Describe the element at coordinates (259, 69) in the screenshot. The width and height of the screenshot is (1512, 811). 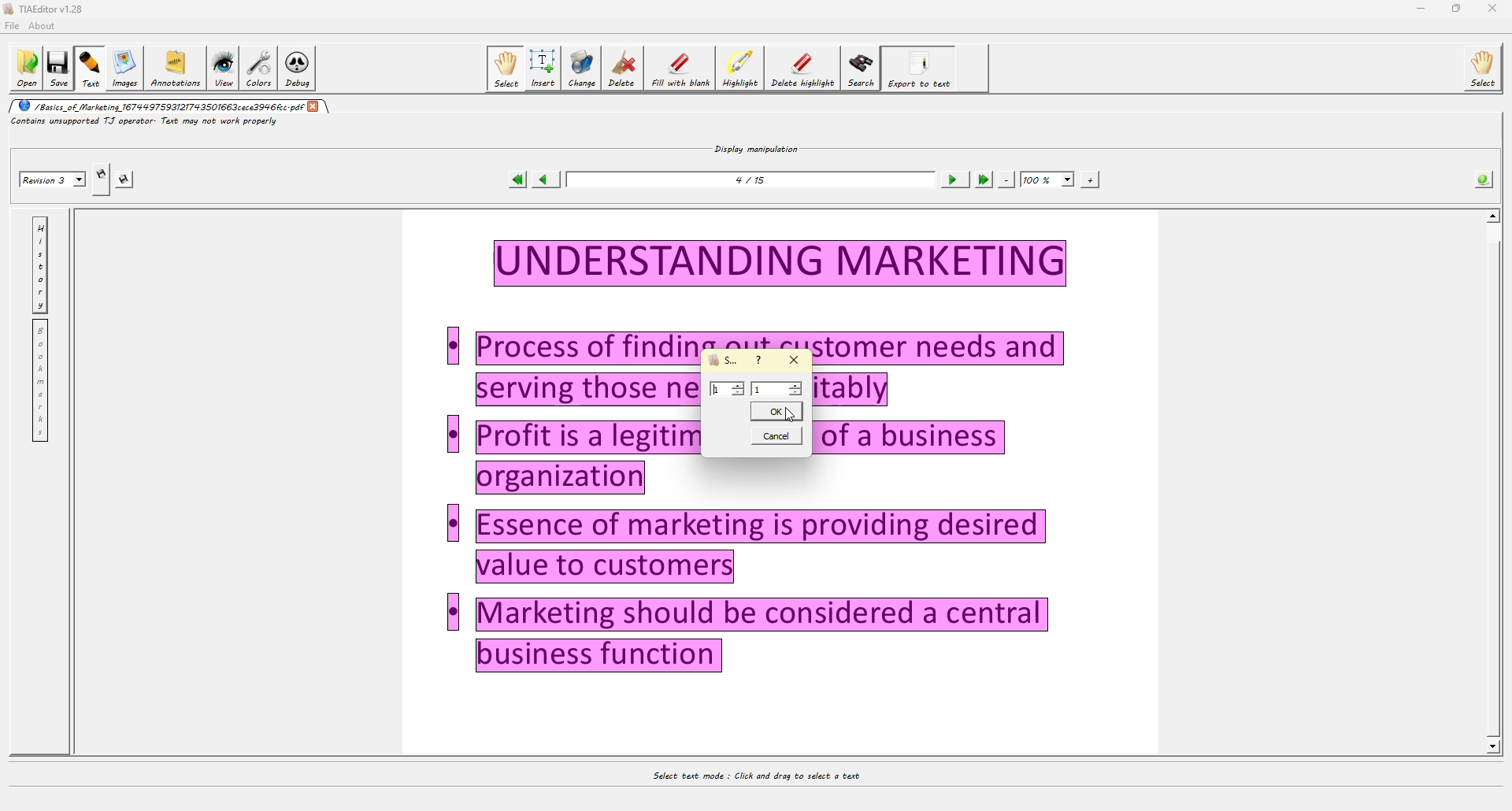
I see `colors` at that location.